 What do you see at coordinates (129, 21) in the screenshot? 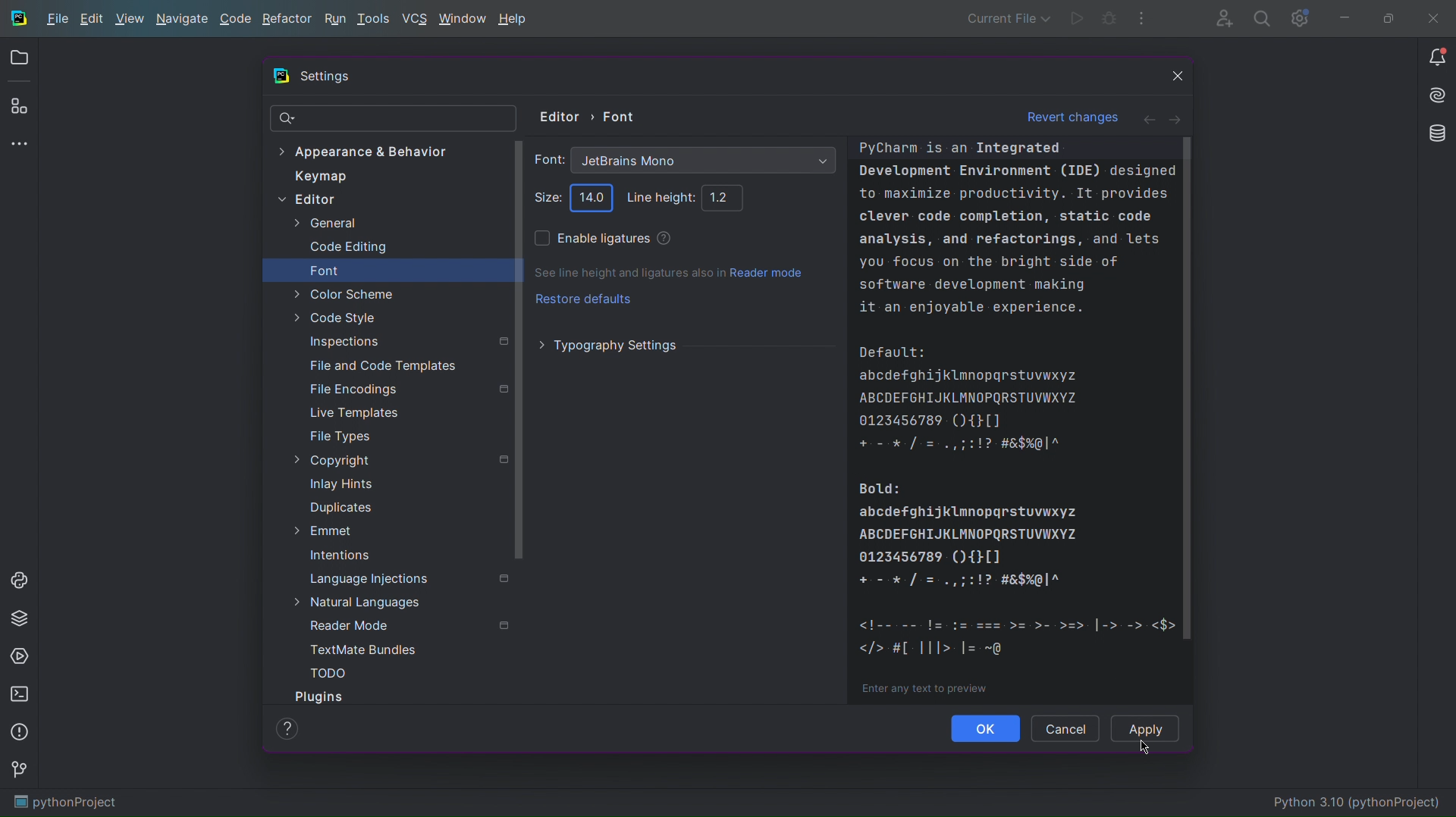
I see `View` at bounding box center [129, 21].